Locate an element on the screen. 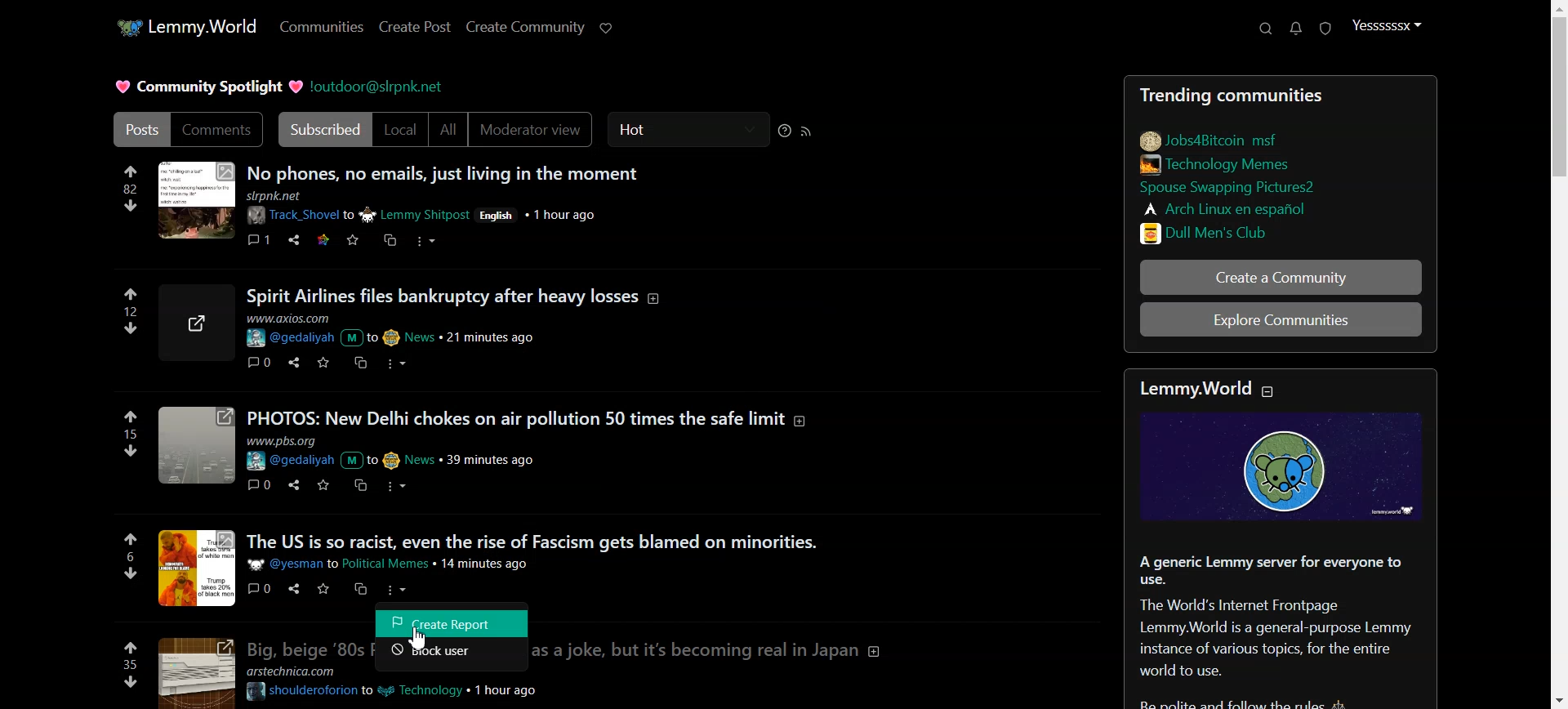 The height and width of the screenshot is (709, 1568). image is located at coordinates (195, 202).